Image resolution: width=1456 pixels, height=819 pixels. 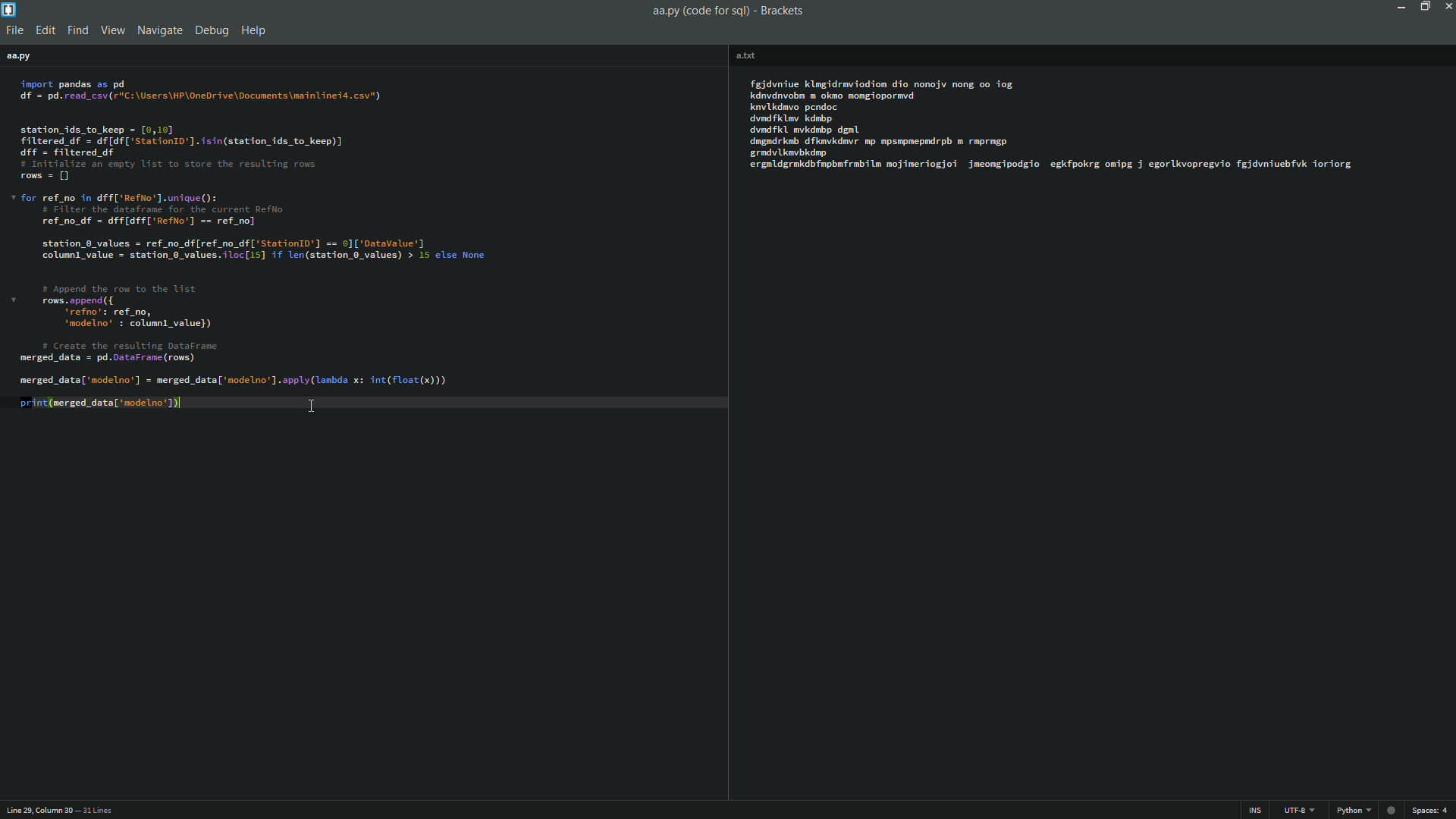 I want to click on edit menu, so click(x=44, y=32).